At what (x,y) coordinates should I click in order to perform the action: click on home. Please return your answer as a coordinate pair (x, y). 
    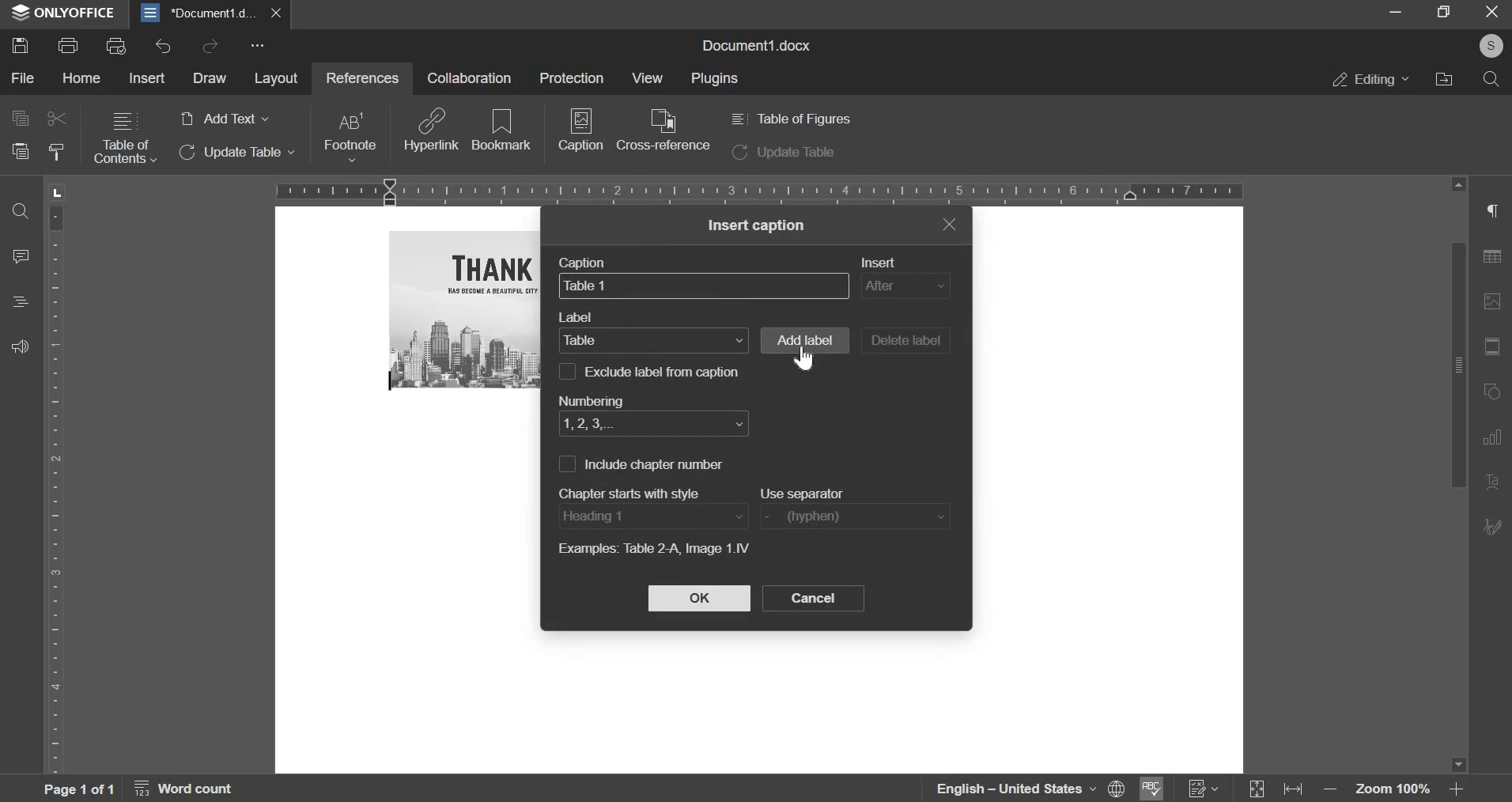
    Looking at the image, I should click on (82, 78).